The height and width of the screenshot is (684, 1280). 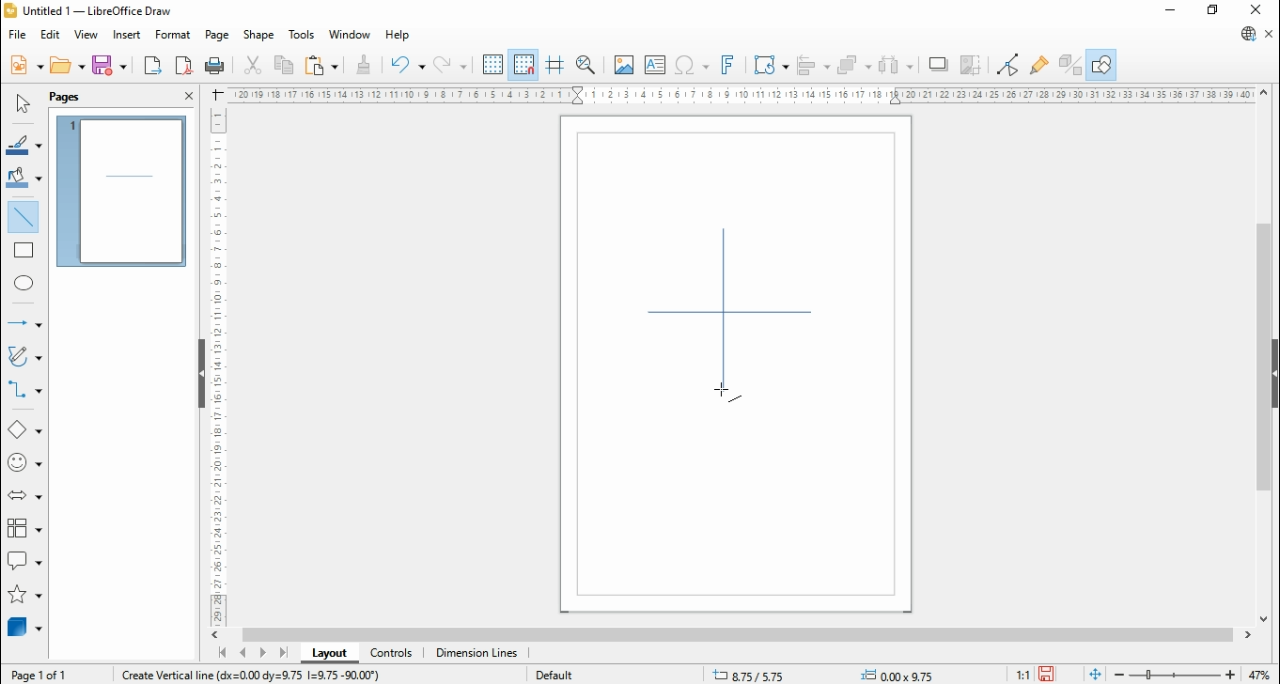 I want to click on next page, so click(x=262, y=652).